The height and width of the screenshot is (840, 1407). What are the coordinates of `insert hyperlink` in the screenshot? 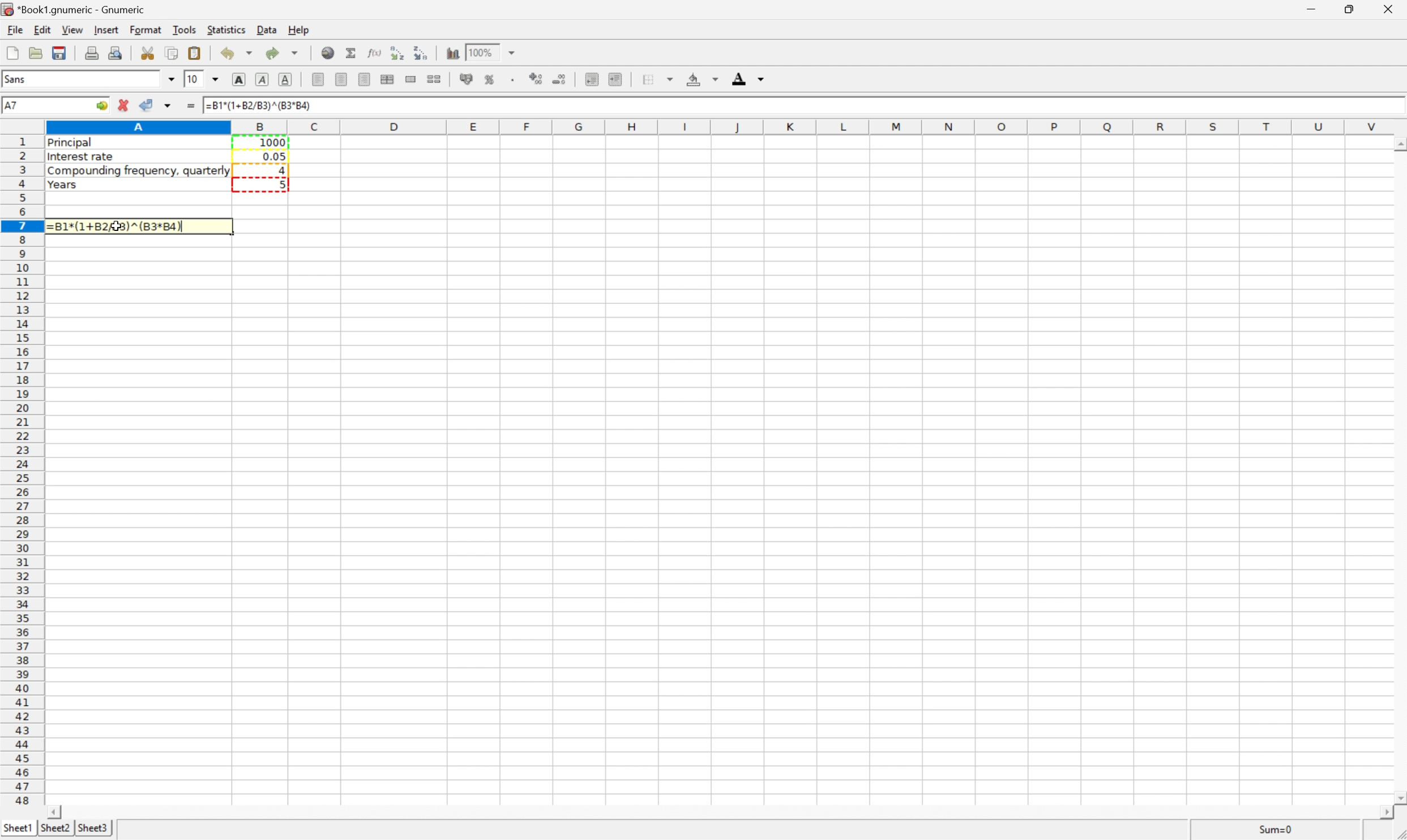 It's located at (328, 51).